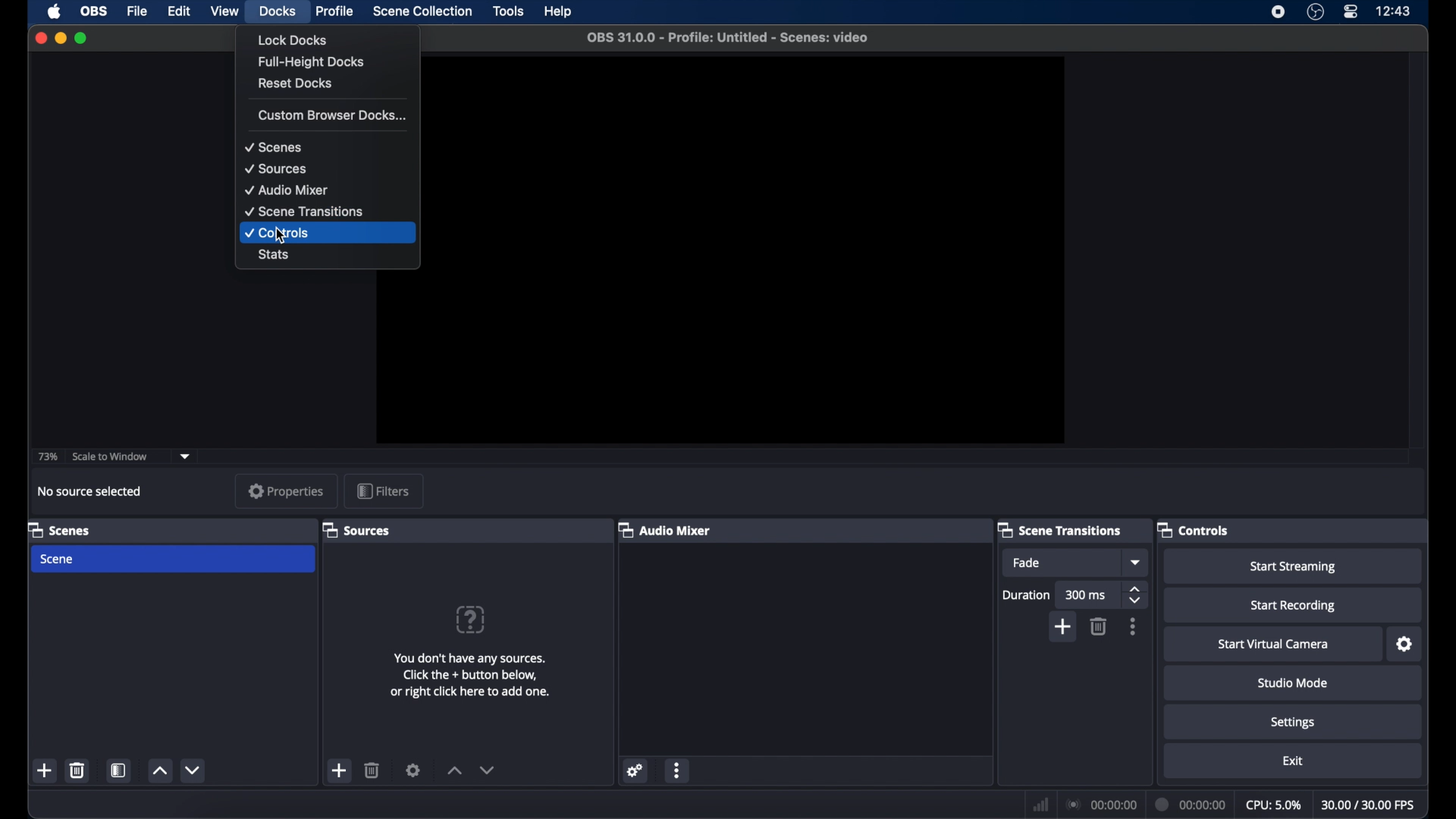  Describe the element at coordinates (1193, 530) in the screenshot. I see `controls` at that location.